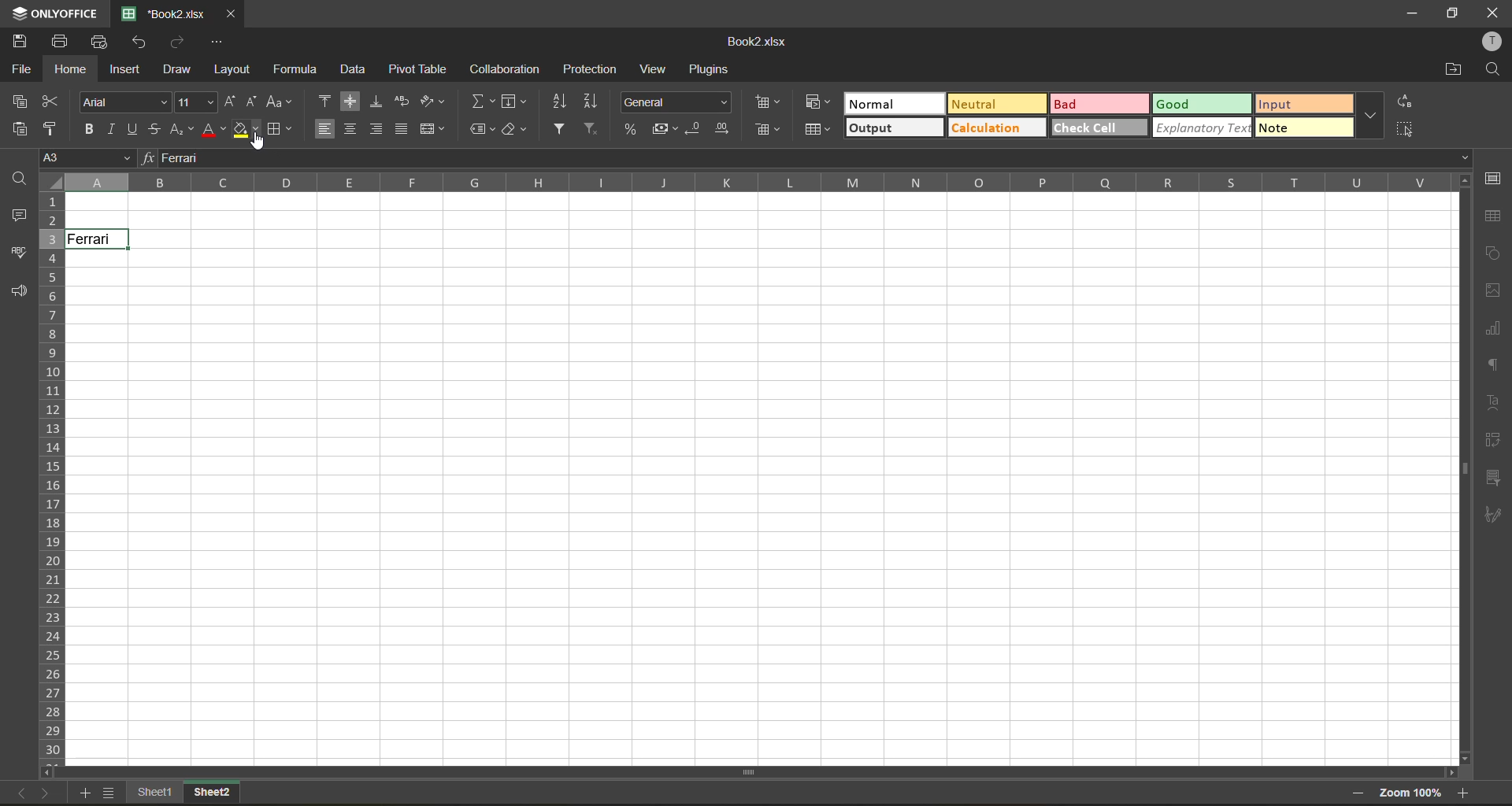 This screenshot has height=806, width=1512. I want to click on summation, so click(483, 103).